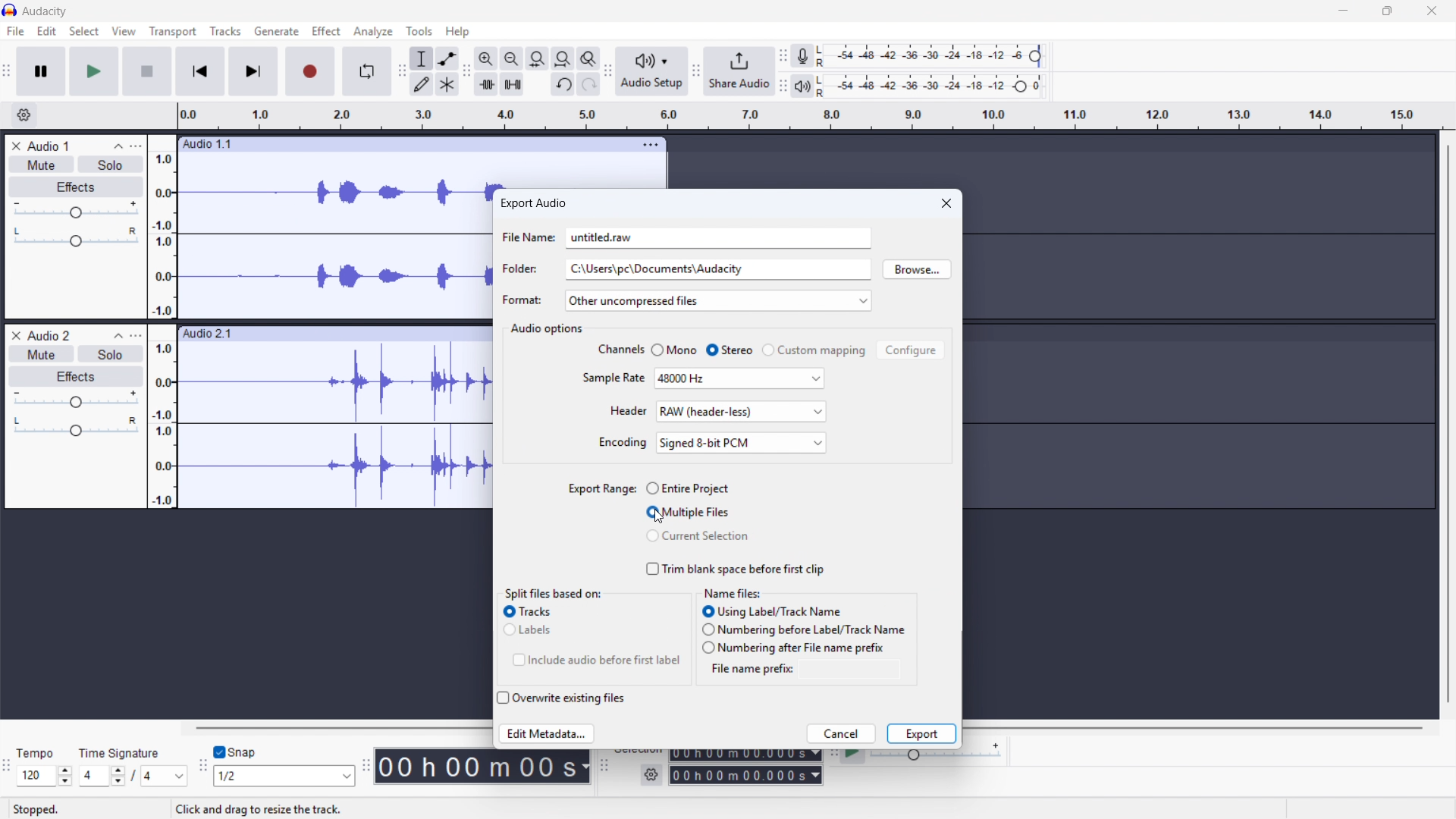  Describe the element at coordinates (548, 329) in the screenshot. I see `audio options` at that location.